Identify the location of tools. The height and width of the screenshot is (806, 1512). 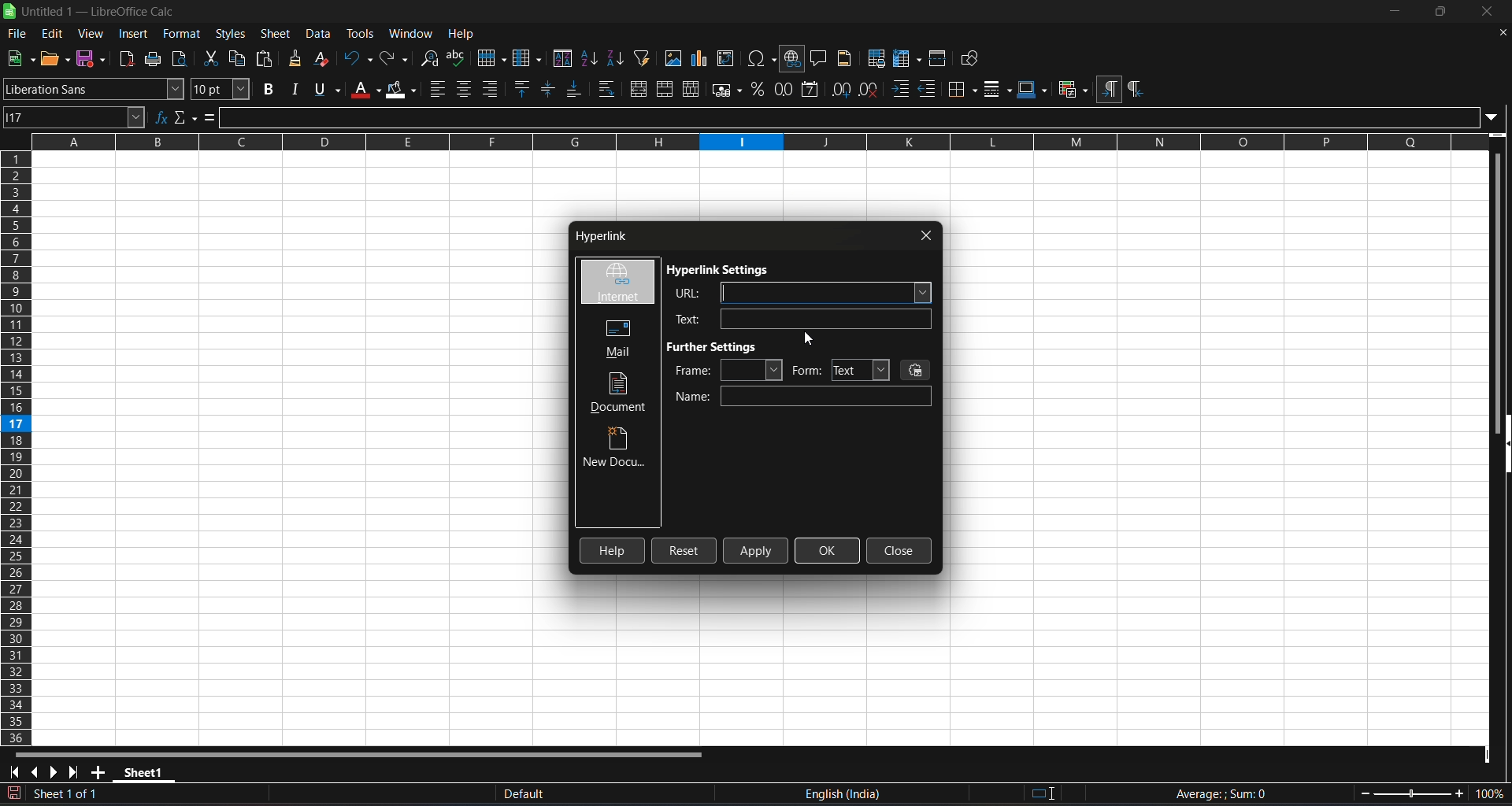
(359, 33).